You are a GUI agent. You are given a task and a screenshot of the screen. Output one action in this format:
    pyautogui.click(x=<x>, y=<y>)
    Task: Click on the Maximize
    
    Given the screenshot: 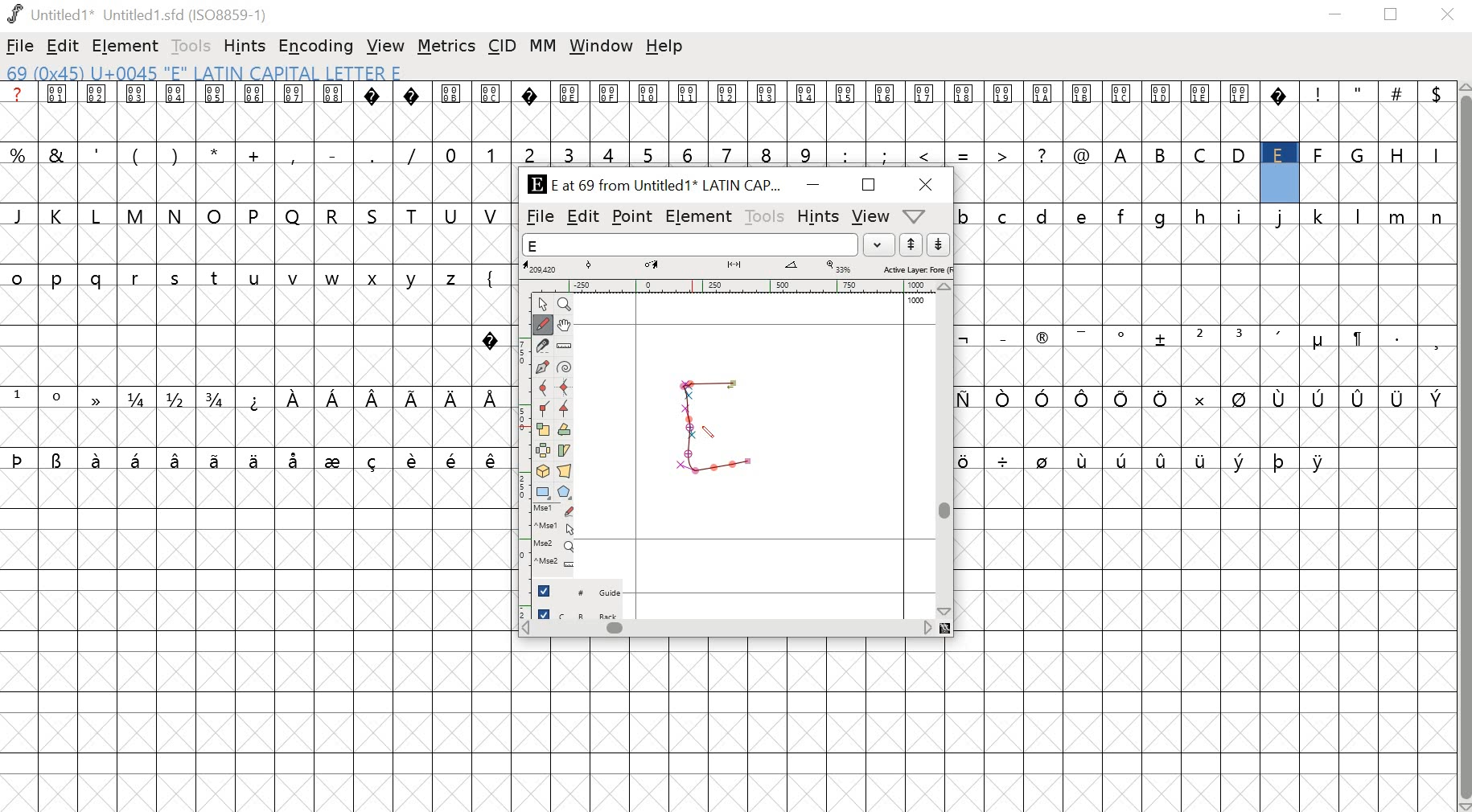 What is the action you would take?
    pyautogui.click(x=866, y=184)
    